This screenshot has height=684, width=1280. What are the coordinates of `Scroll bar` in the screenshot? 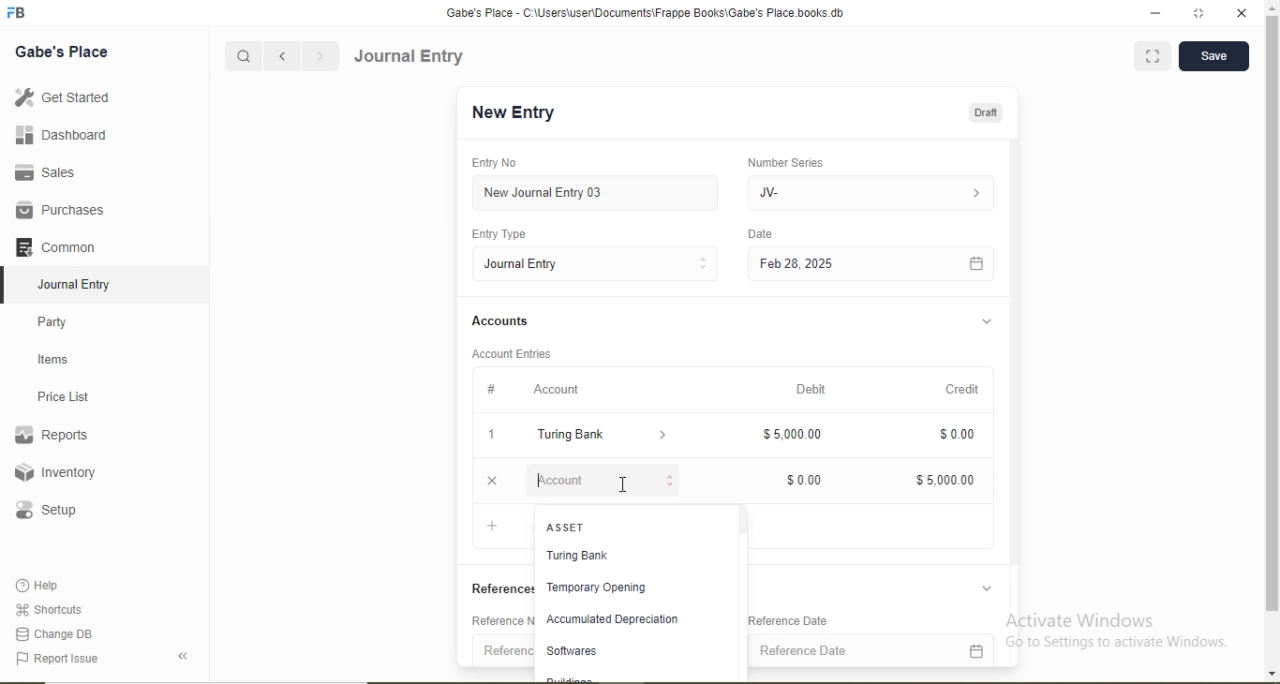 It's located at (1011, 352).